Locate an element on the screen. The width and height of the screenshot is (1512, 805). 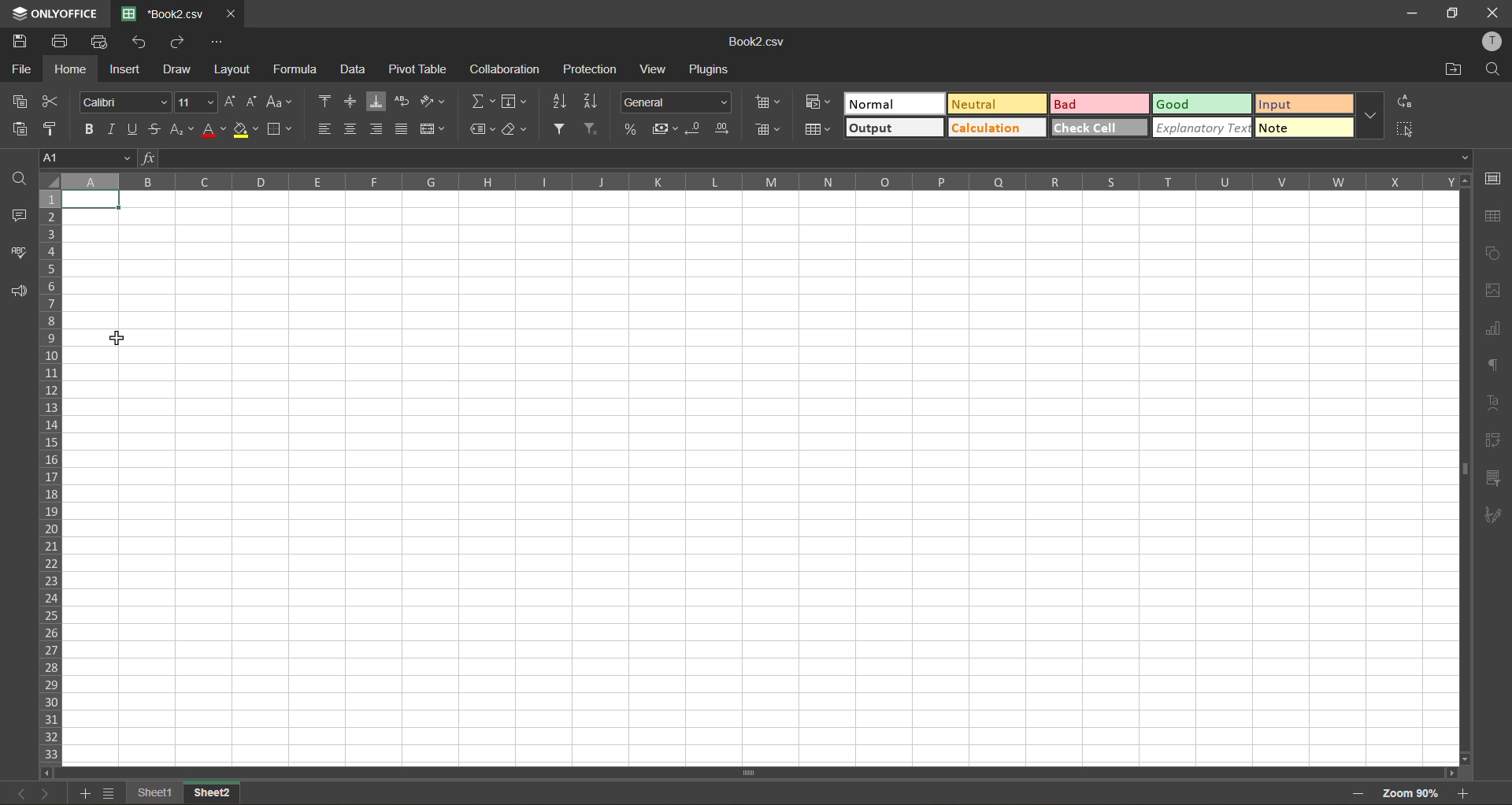
feedback is located at coordinates (16, 294).